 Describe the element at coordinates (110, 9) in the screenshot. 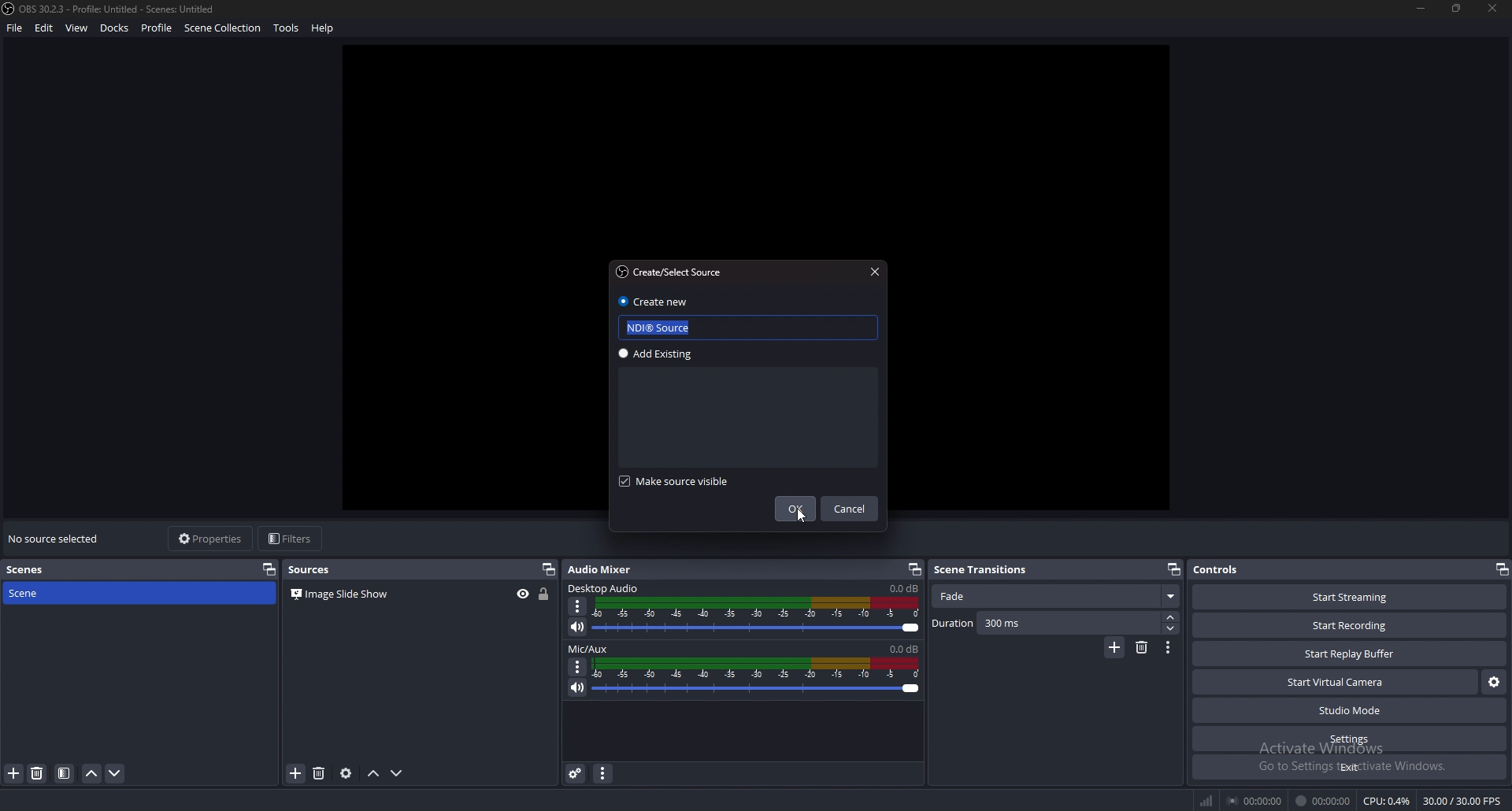

I see `file name` at that location.